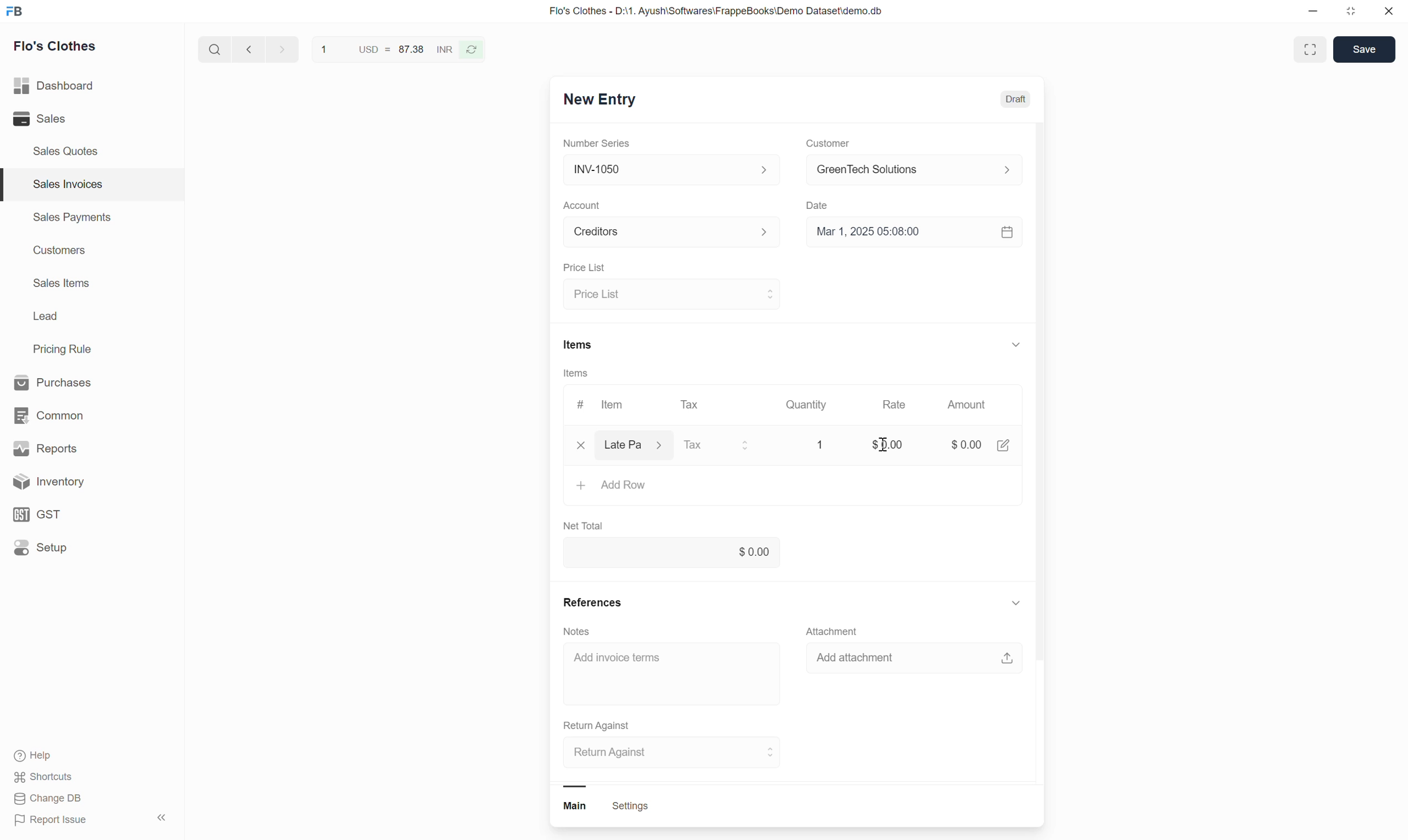  What do you see at coordinates (639, 446) in the screenshot?
I see `Select item` at bounding box center [639, 446].